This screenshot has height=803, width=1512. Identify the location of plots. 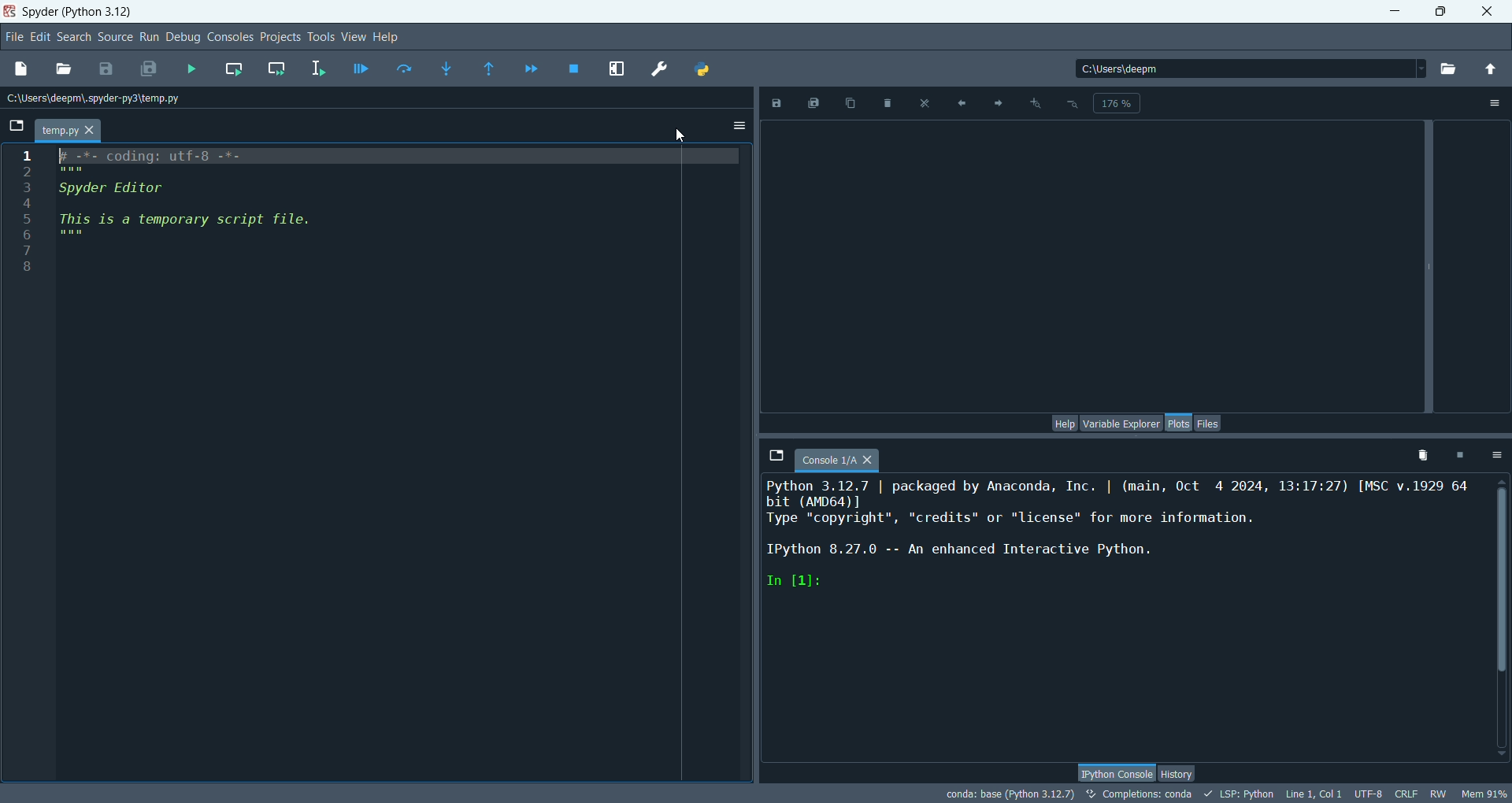
(1176, 424).